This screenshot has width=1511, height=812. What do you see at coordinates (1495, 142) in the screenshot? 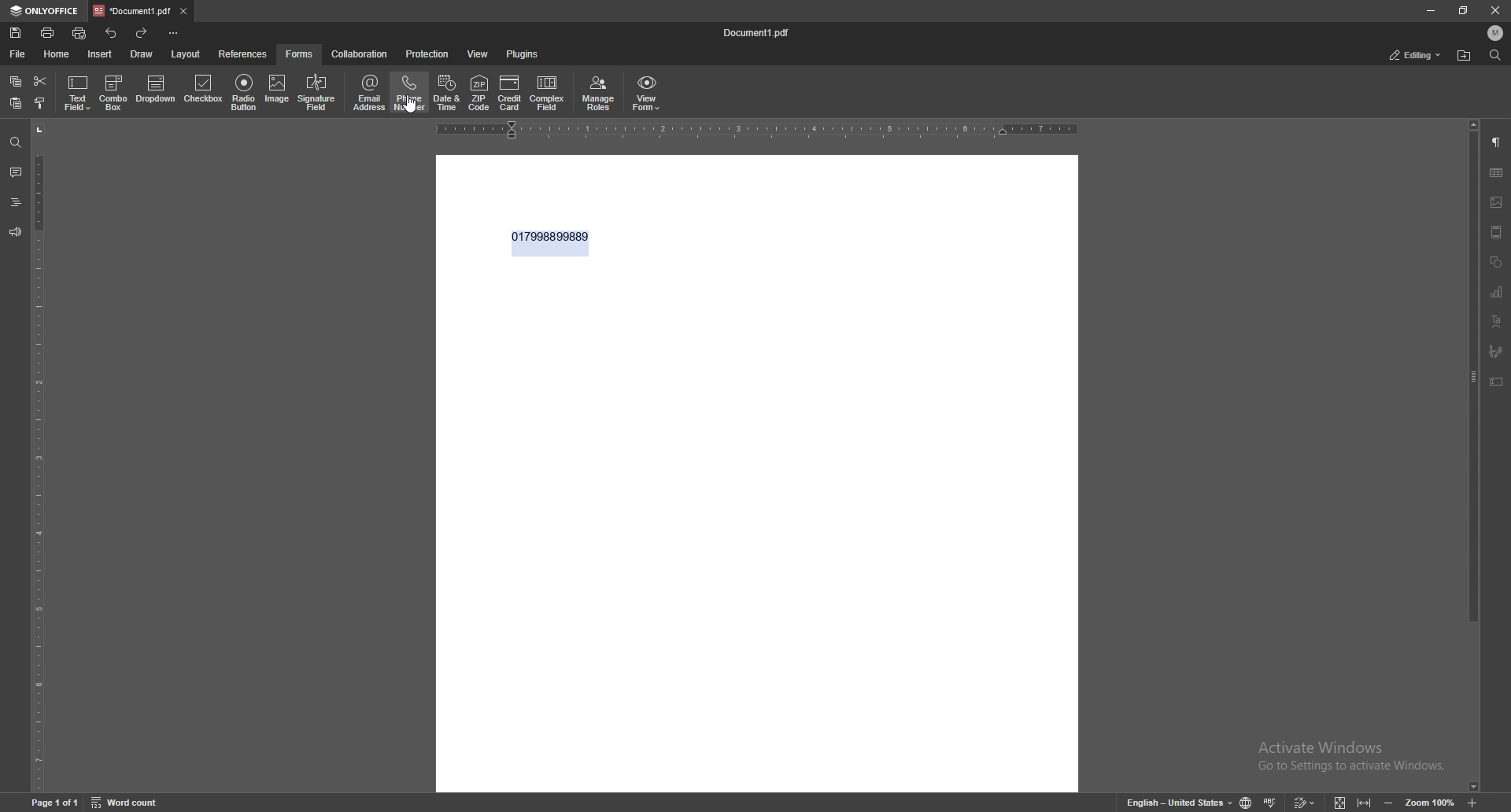
I see `paragraph` at bounding box center [1495, 142].